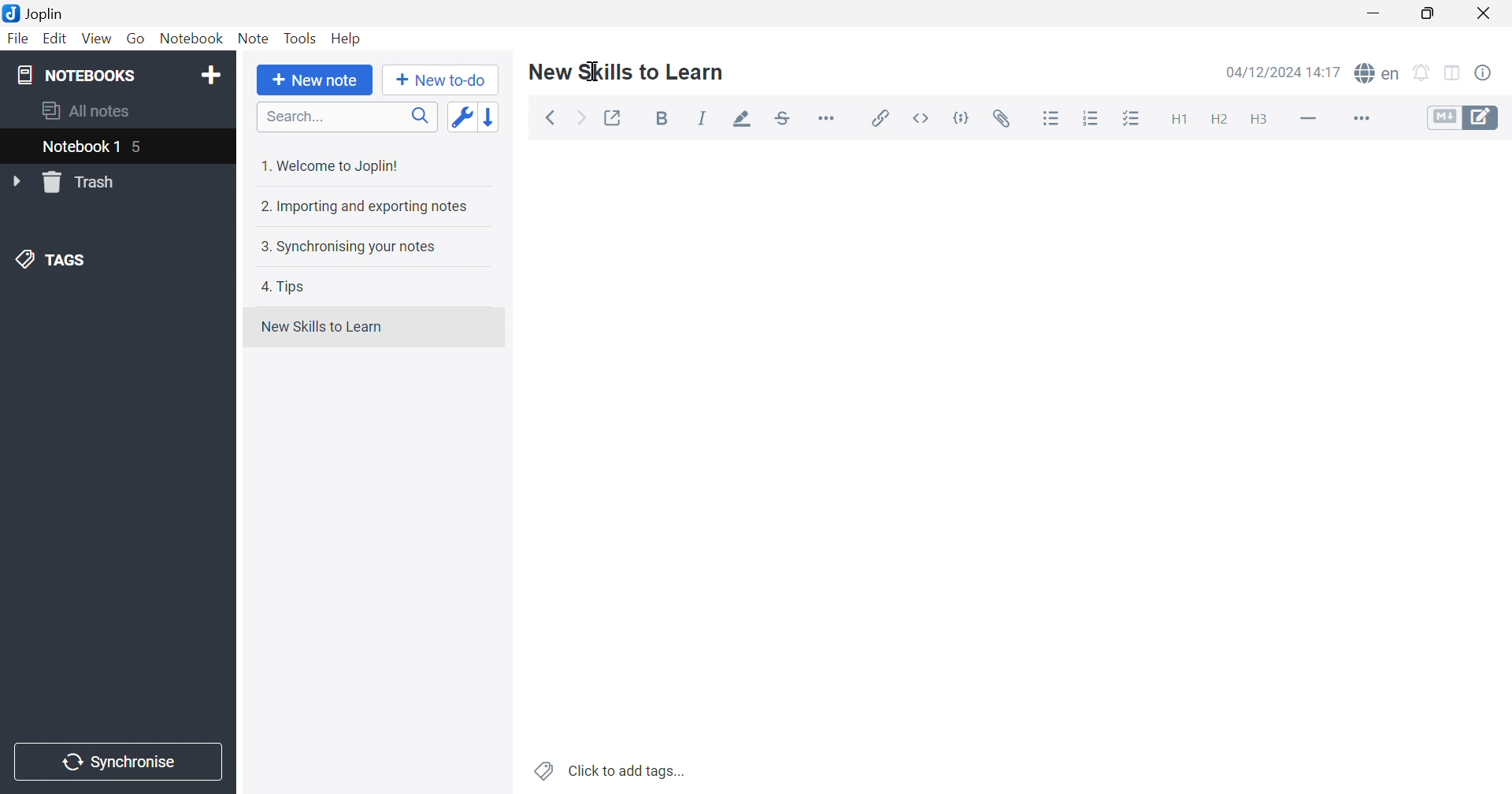 The width and height of the screenshot is (1512, 794). I want to click on Forward, so click(582, 120).